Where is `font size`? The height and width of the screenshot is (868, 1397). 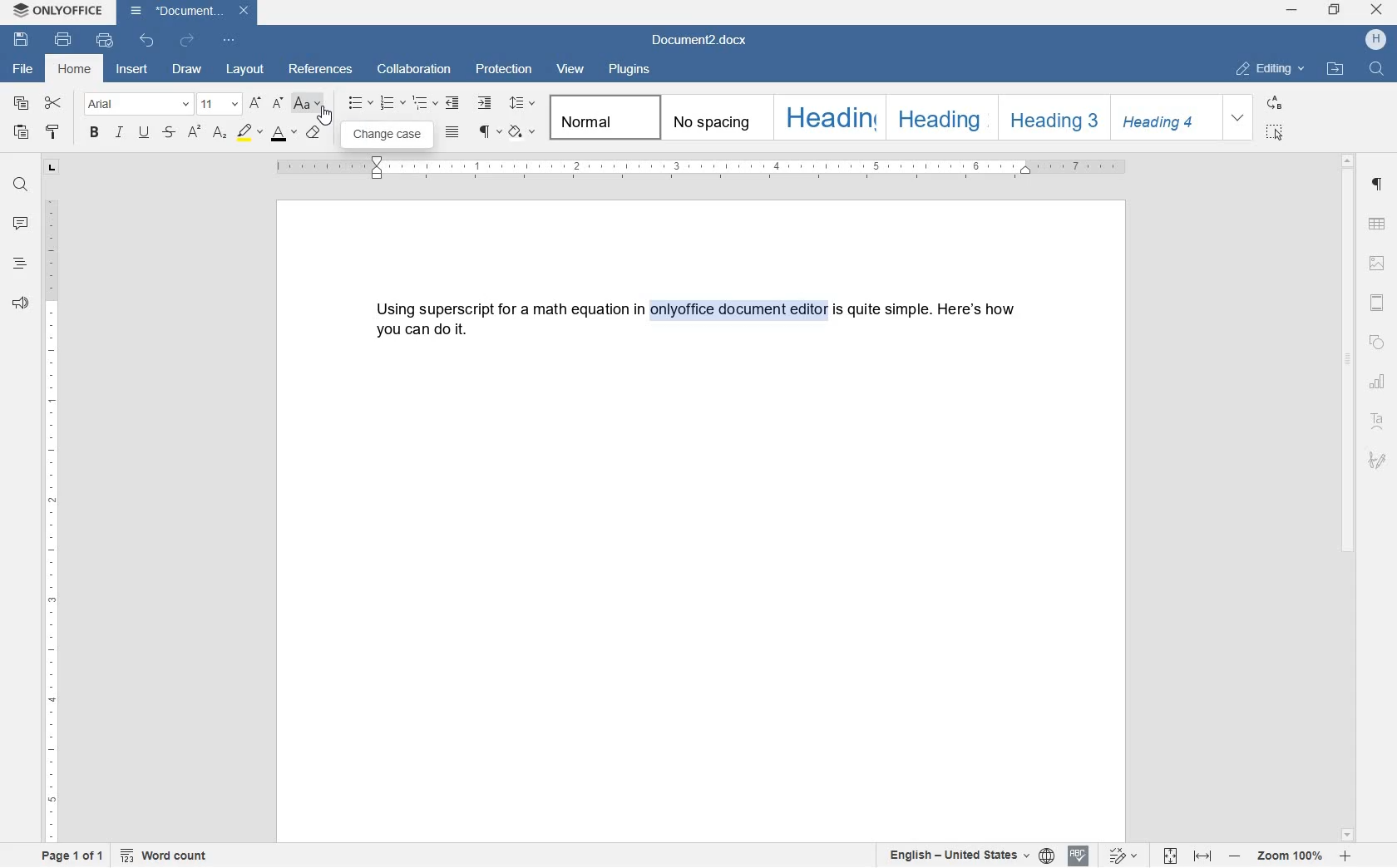 font size is located at coordinates (219, 103).